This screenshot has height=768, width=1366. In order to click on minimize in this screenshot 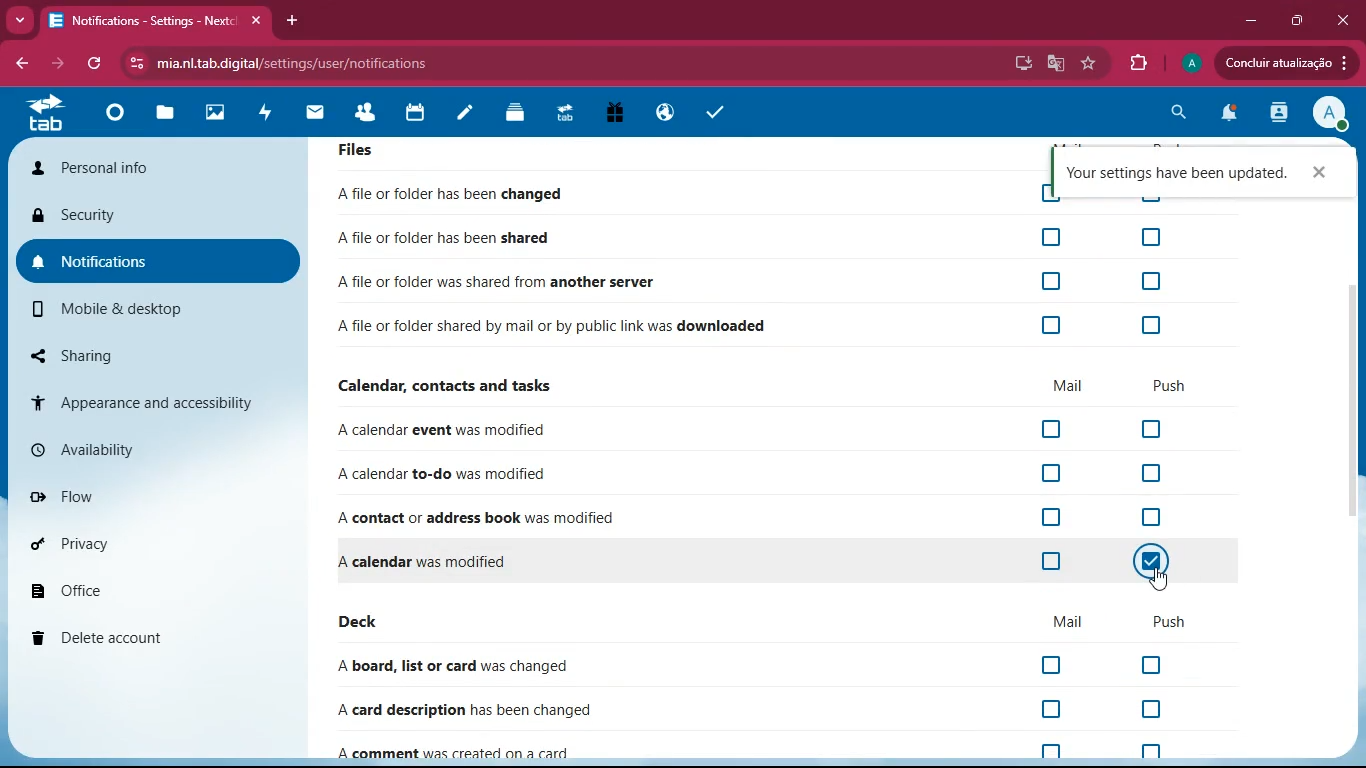, I will do `click(1252, 20)`.